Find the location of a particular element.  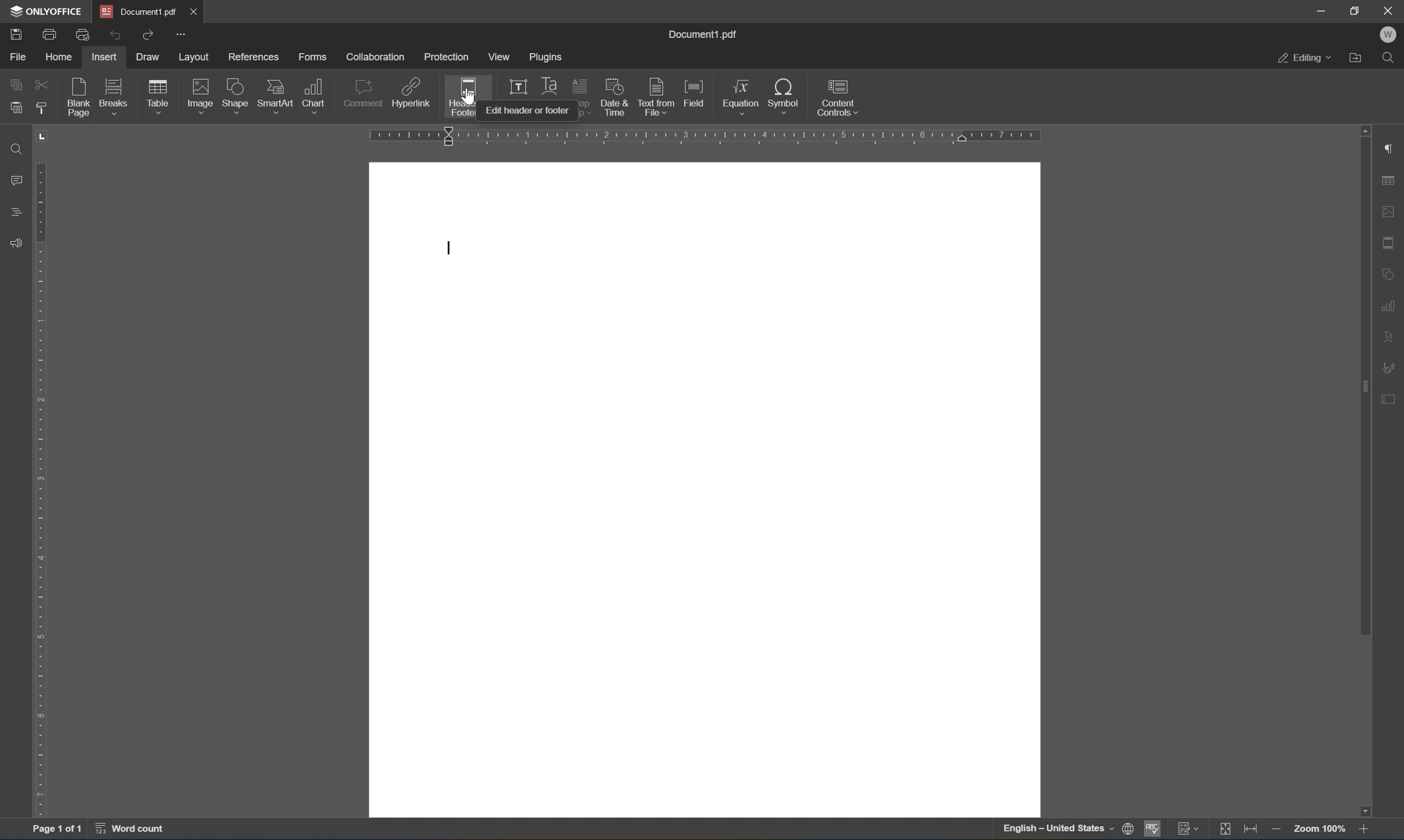

ruler is located at coordinates (709, 136).